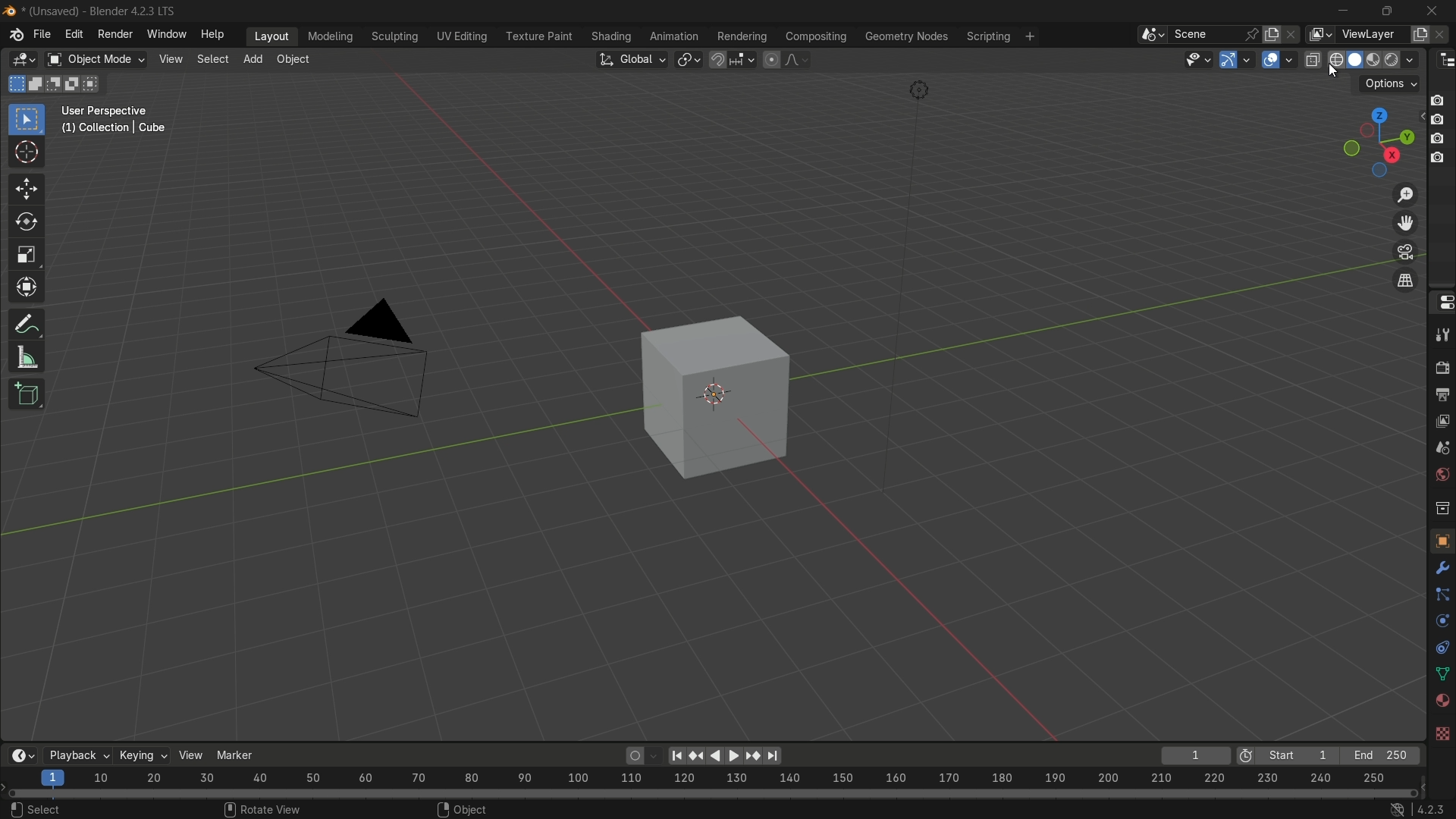 Image resolution: width=1456 pixels, height=819 pixels. Describe the element at coordinates (75, 34) in the screenshot. I see `edit menu` at that location.